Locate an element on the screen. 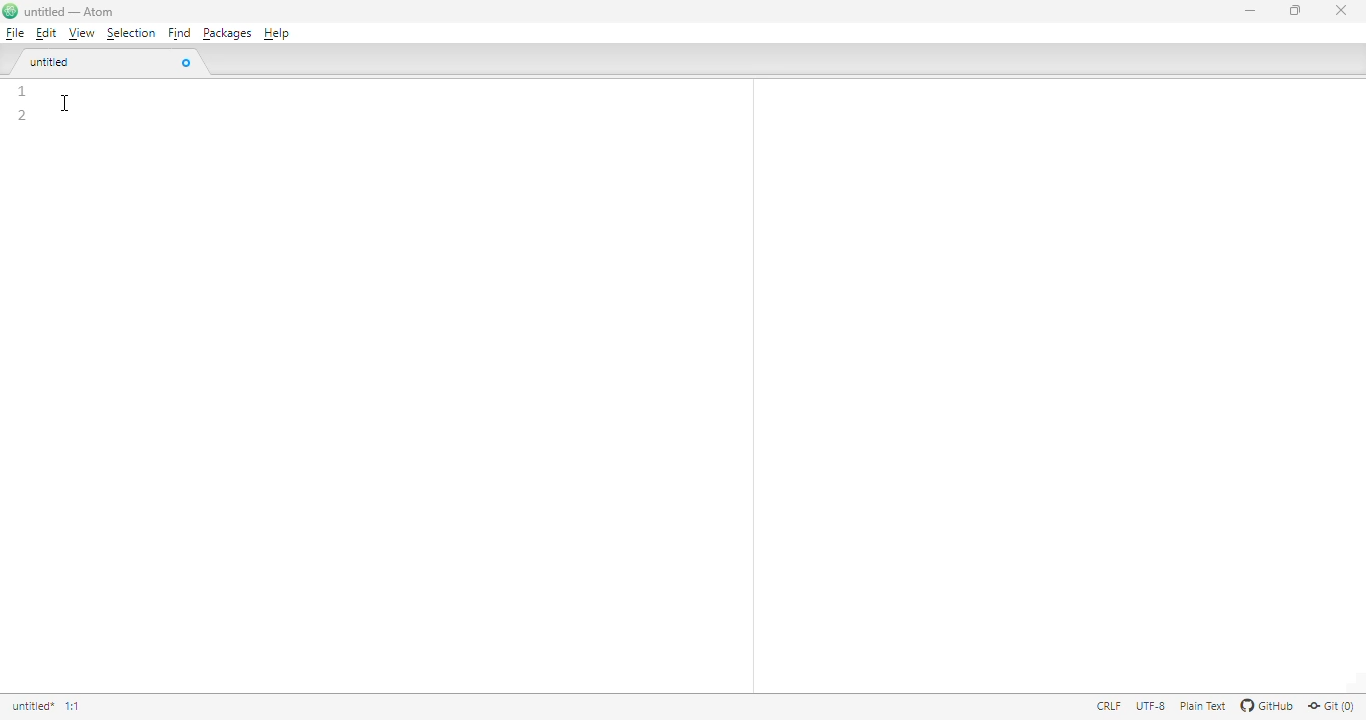  edit is located at coordinates (46, 33).